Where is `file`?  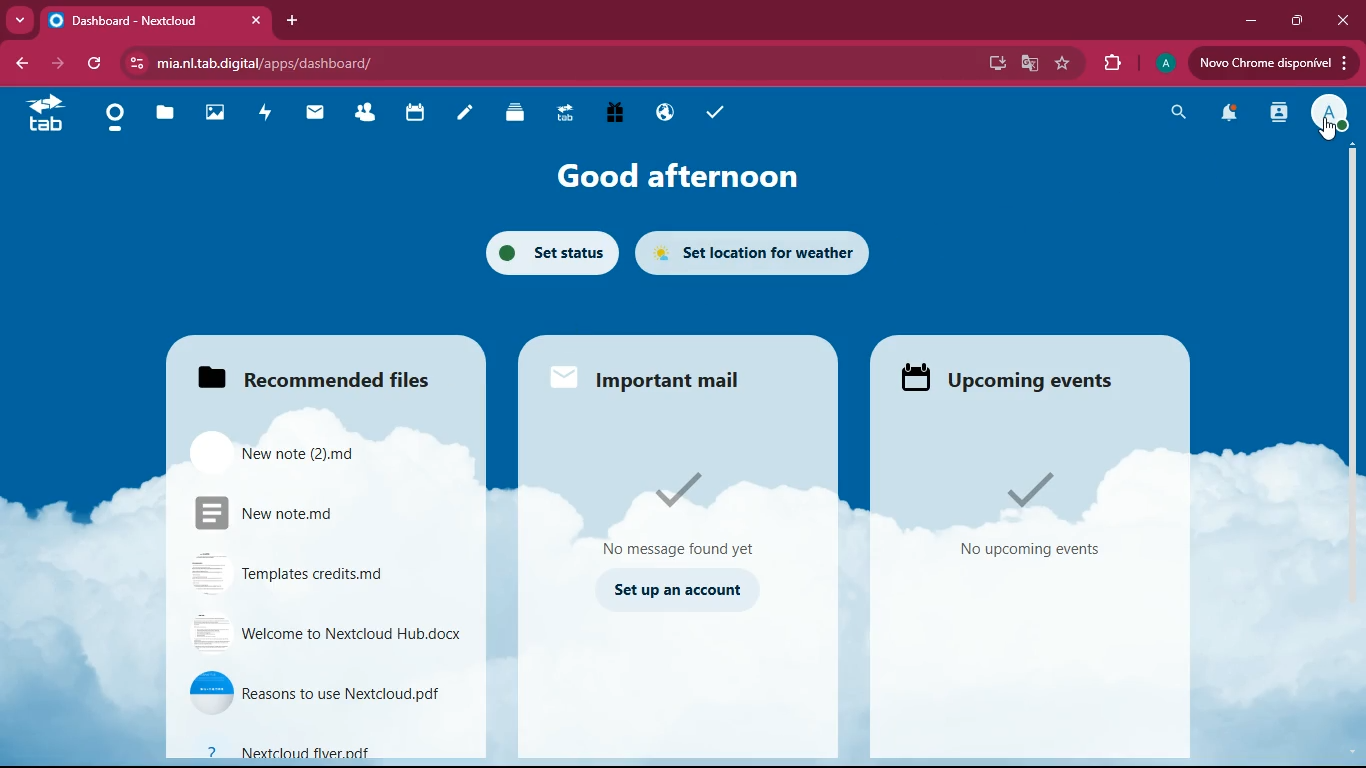
file is located at coordinates (332, 633).